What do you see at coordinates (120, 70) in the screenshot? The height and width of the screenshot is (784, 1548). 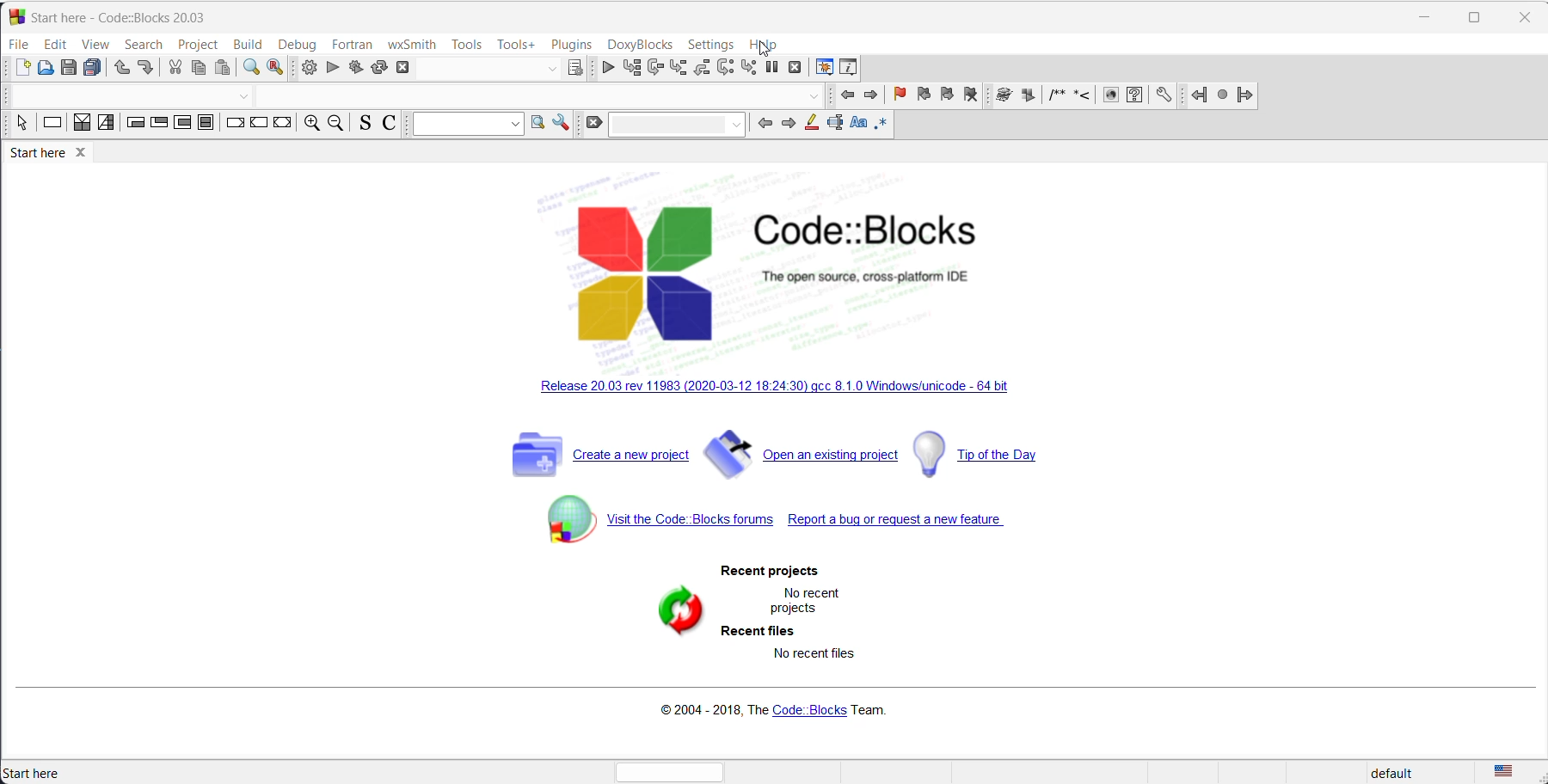 I see `undo` at bounding box center [120, 70].